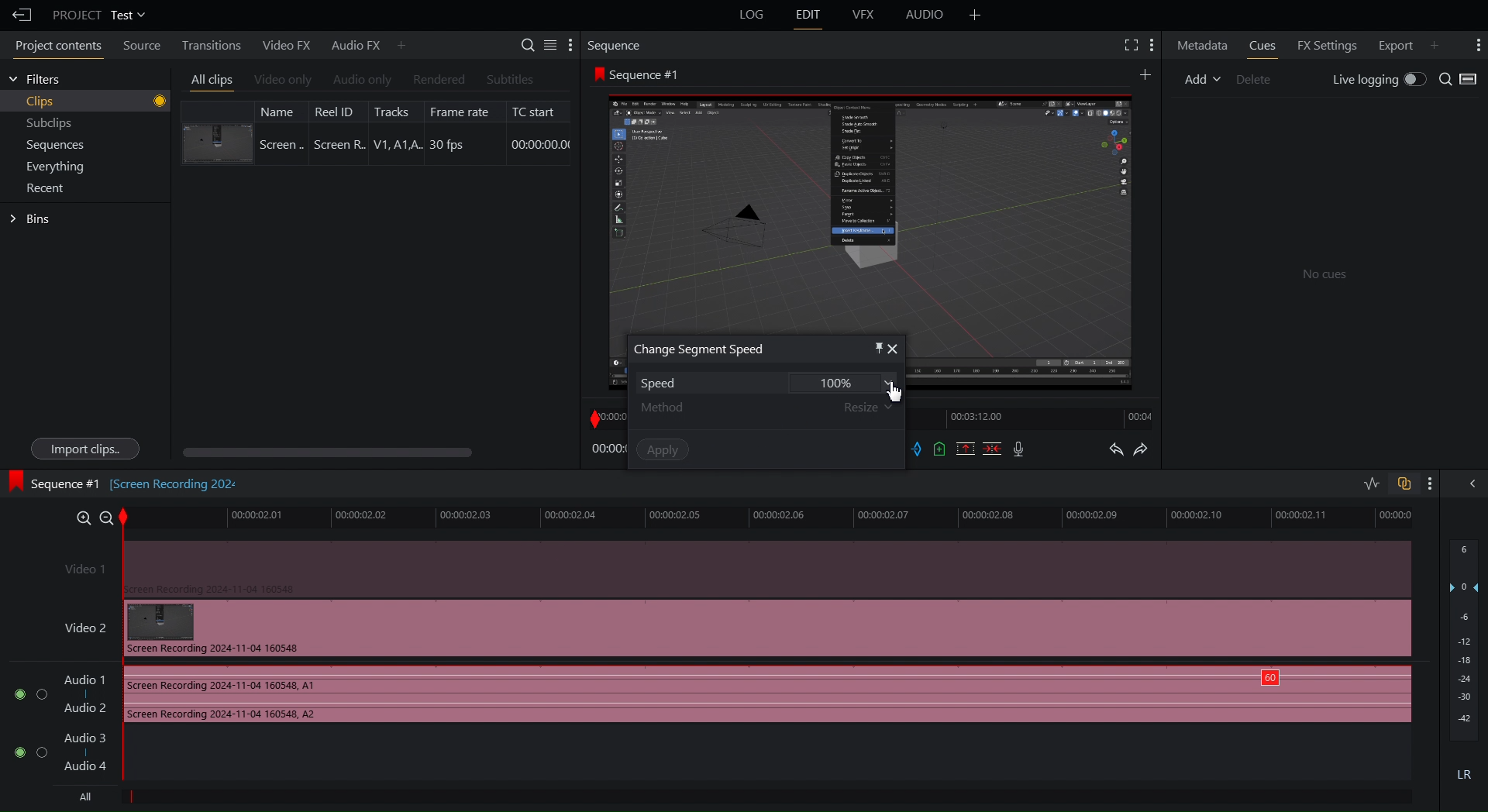  I want to click on Audio Track 1, so click(706, 696).